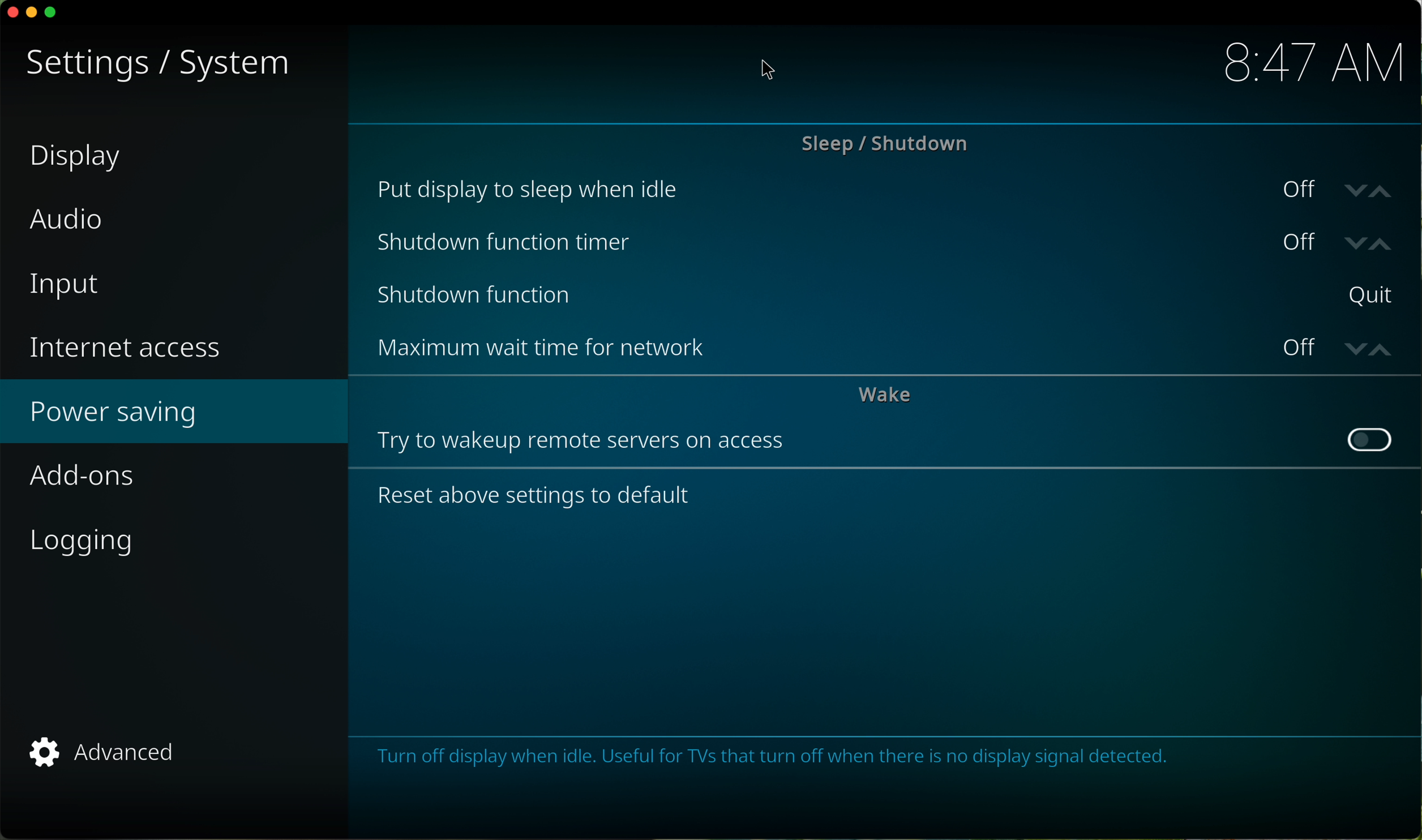 This screenshot has height=840, width=1422. What do you see at coordinates (76, 160) in the screenshot?
I see `display` at bounding box center [76, 160].